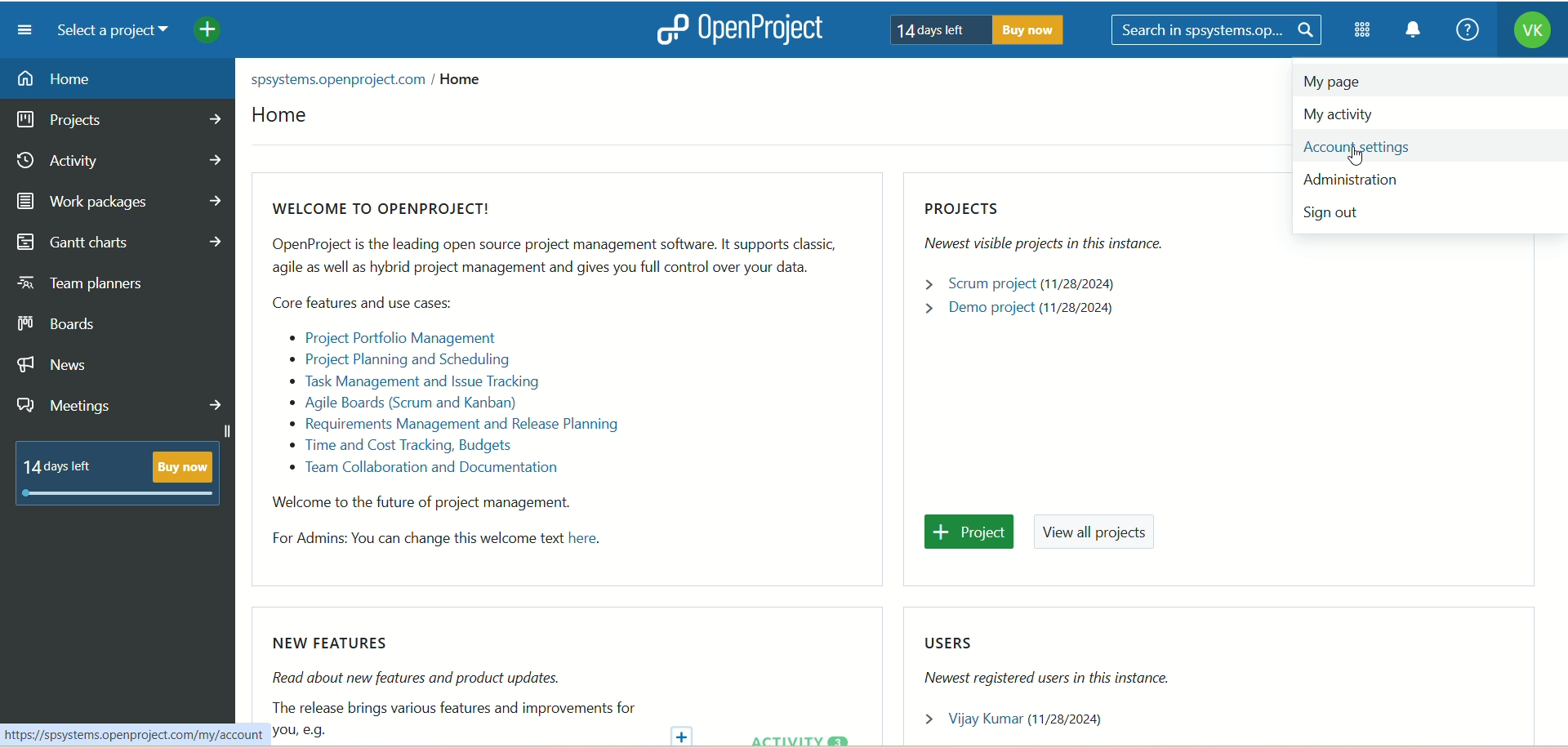  Describe the element at coordinates (1531, 33) in the screenshot. I see `account` at that location.